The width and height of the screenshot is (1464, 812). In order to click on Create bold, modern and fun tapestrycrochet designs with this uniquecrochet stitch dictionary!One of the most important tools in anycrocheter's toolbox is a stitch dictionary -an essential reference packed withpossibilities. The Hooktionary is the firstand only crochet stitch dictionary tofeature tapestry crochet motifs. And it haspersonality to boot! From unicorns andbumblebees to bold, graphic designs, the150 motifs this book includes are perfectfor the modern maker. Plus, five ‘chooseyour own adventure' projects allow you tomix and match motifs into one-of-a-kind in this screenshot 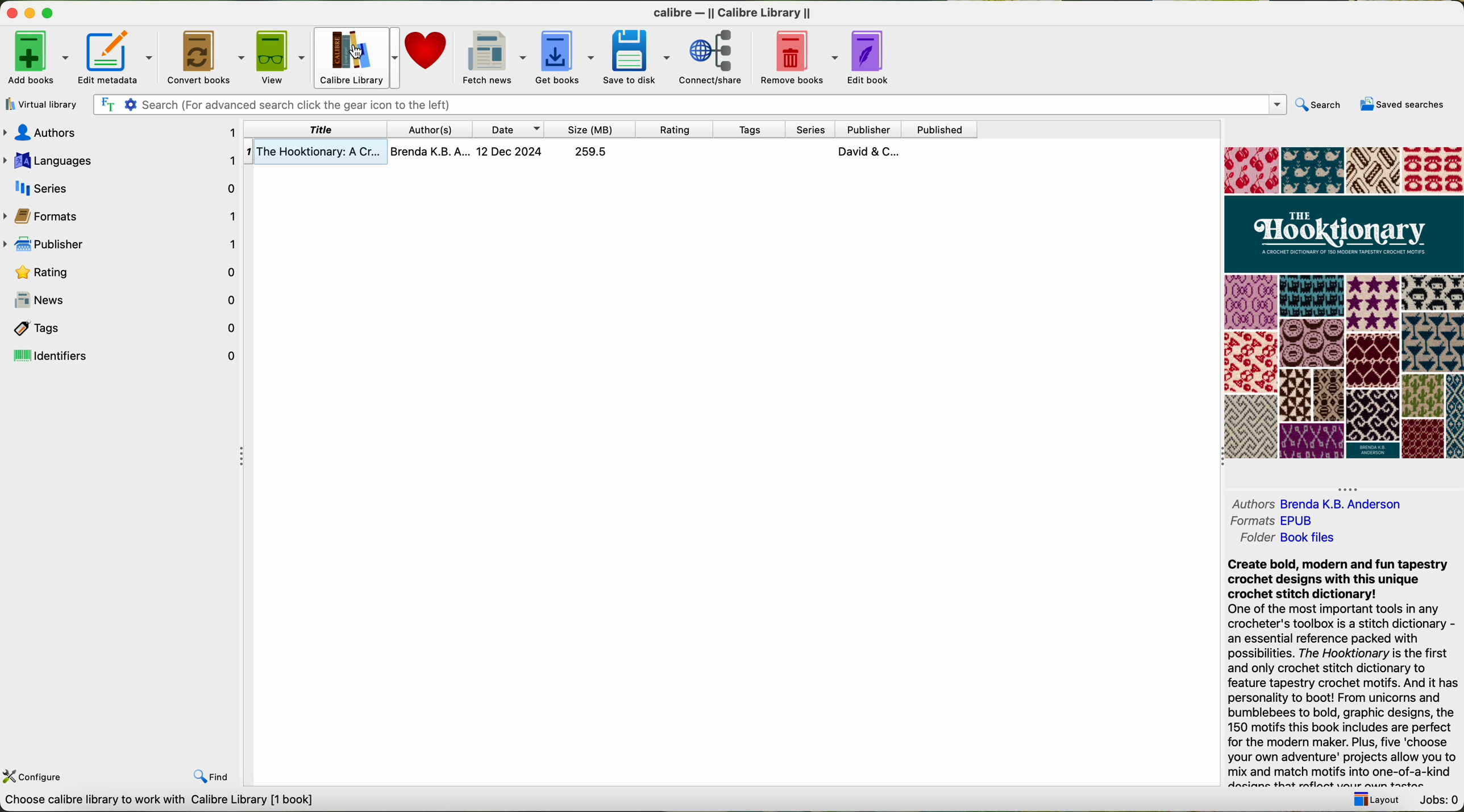, I will do `click(1345, 672)`.